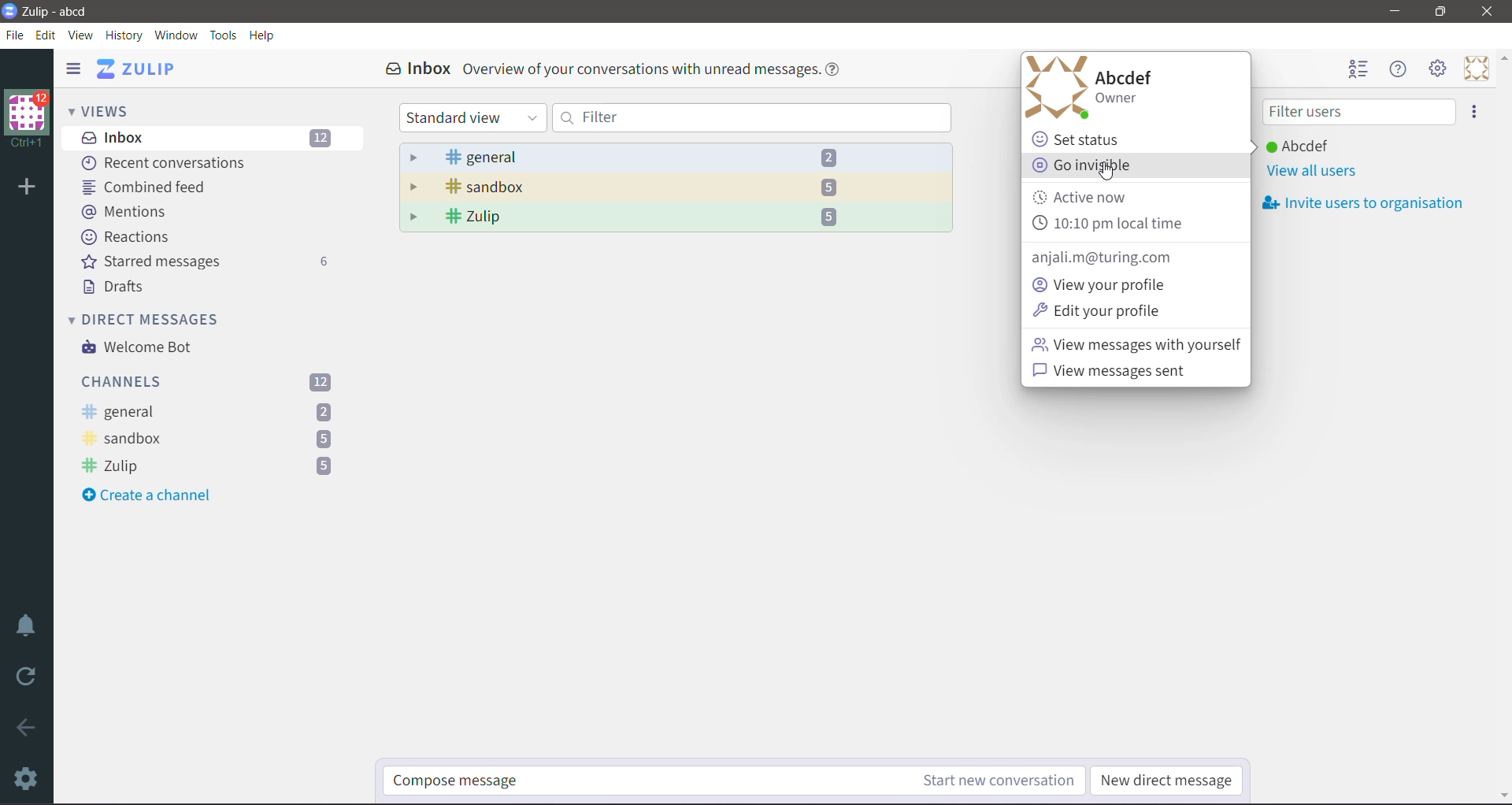 This screenshot has height=805, width=1512. Describe the element at coordinates (1112, 257) in the screenshot. I see `anjali.m@turing.com(User email id)` at that location.